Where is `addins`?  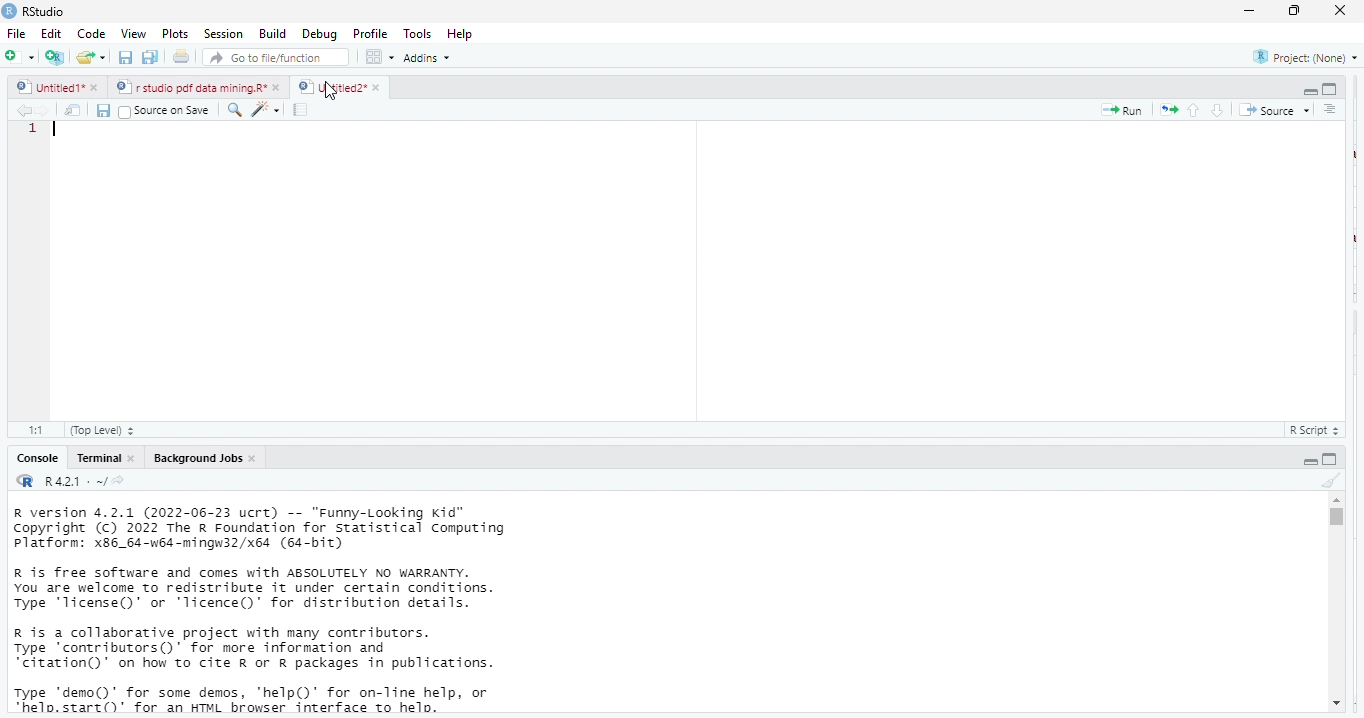 addins is located at coordinates (432, 57).